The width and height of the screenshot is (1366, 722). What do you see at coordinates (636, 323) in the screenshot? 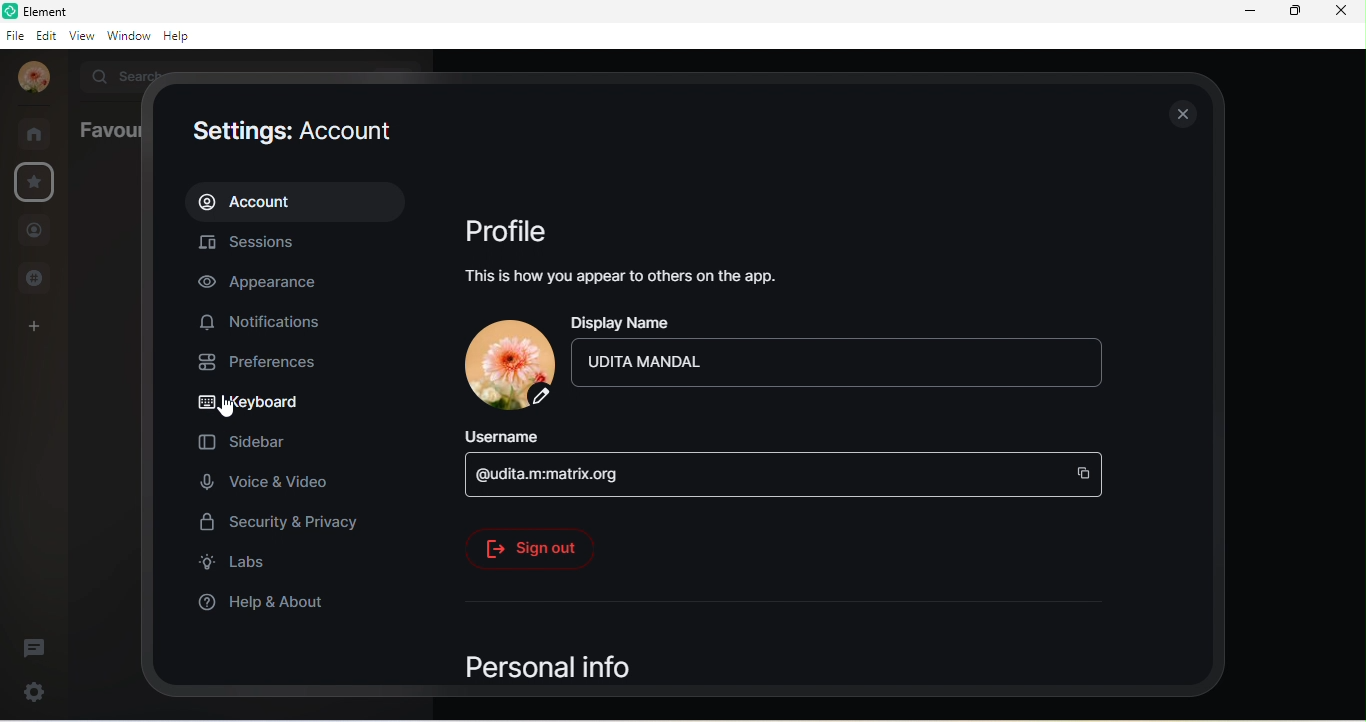
I see `display name` at bounding box center [636, 323].